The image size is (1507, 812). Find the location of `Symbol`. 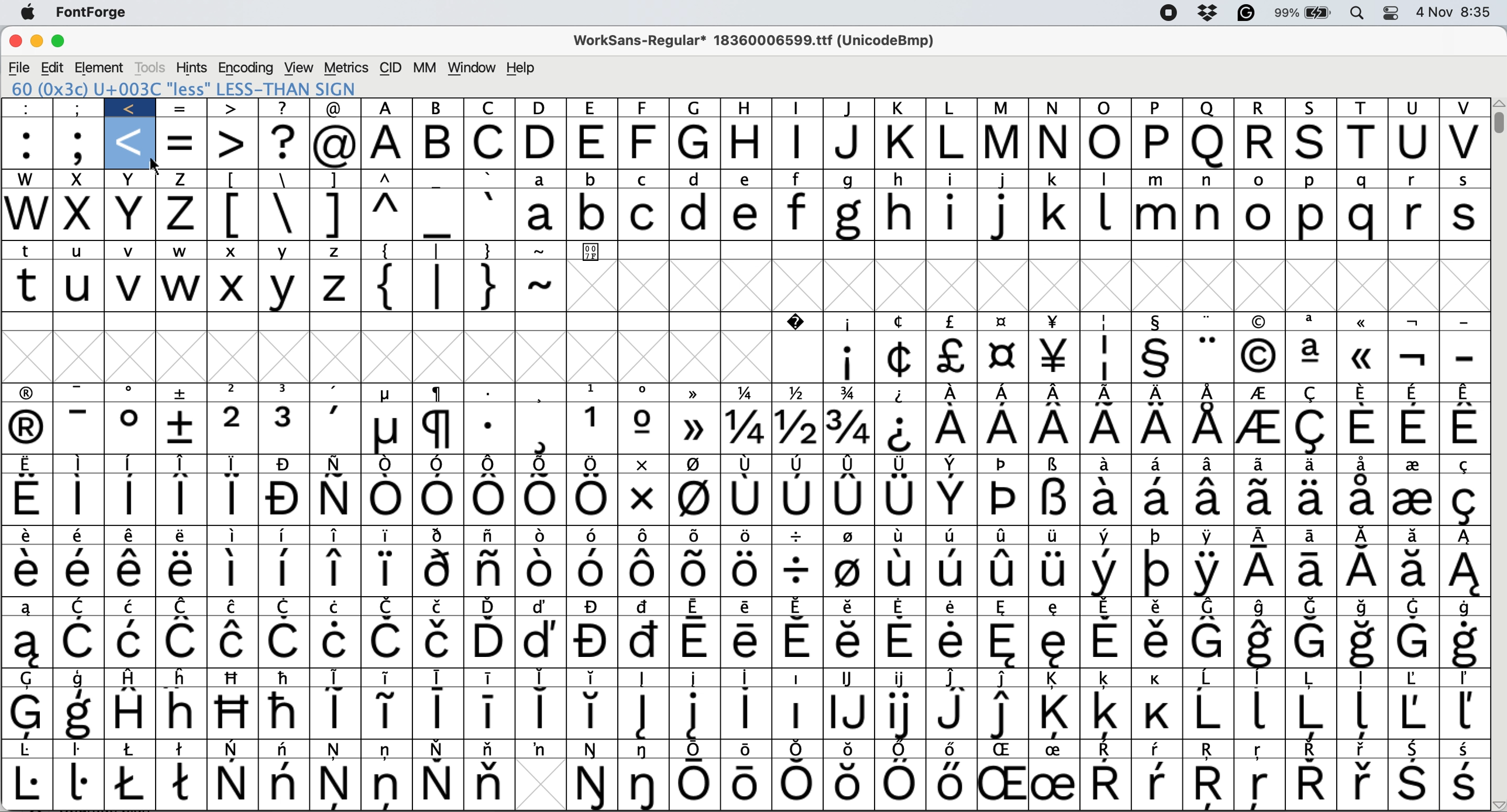

Symbol is located at coordinates (1107, 715).